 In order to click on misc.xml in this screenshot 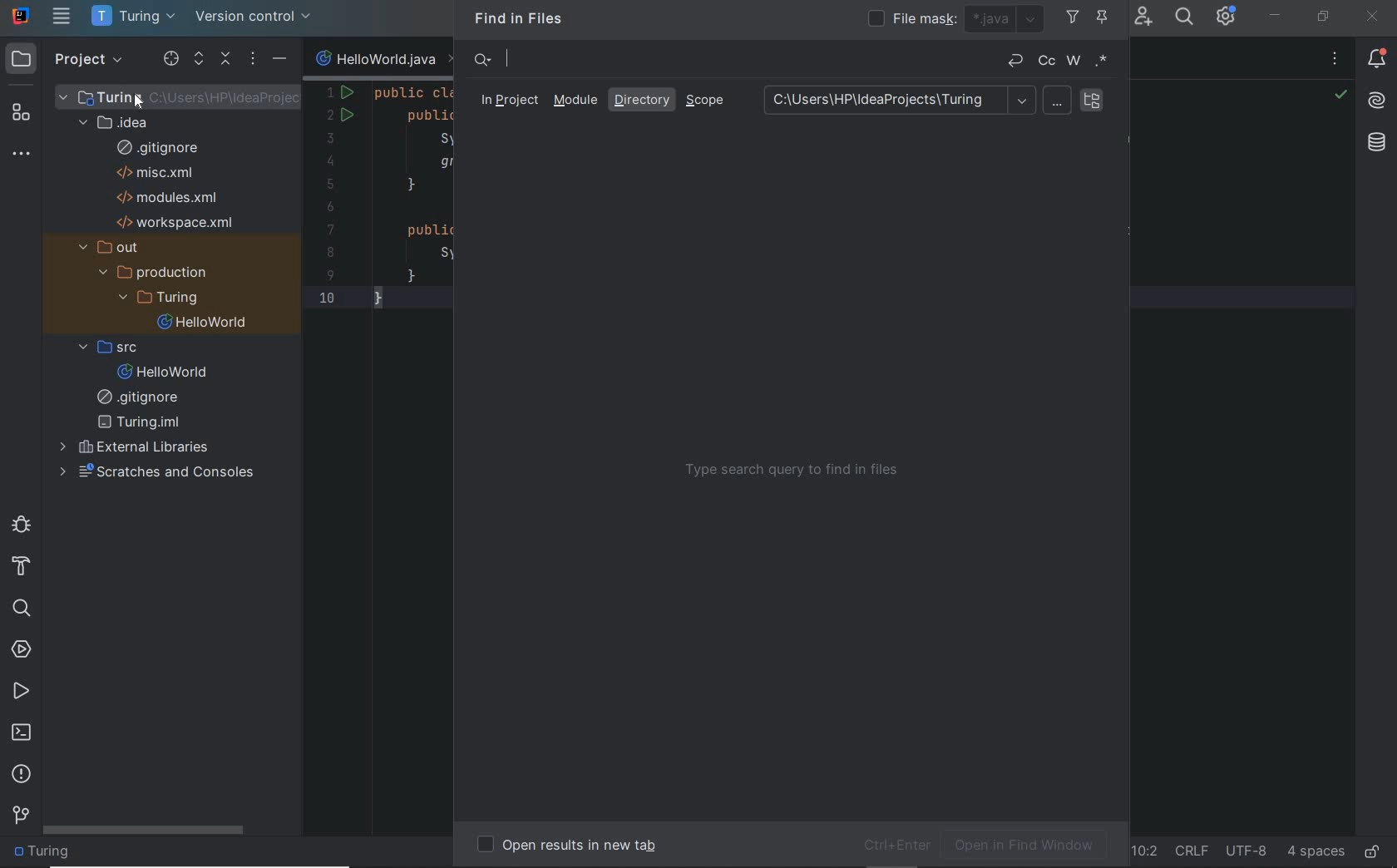, I will do `click(160, 172)`.